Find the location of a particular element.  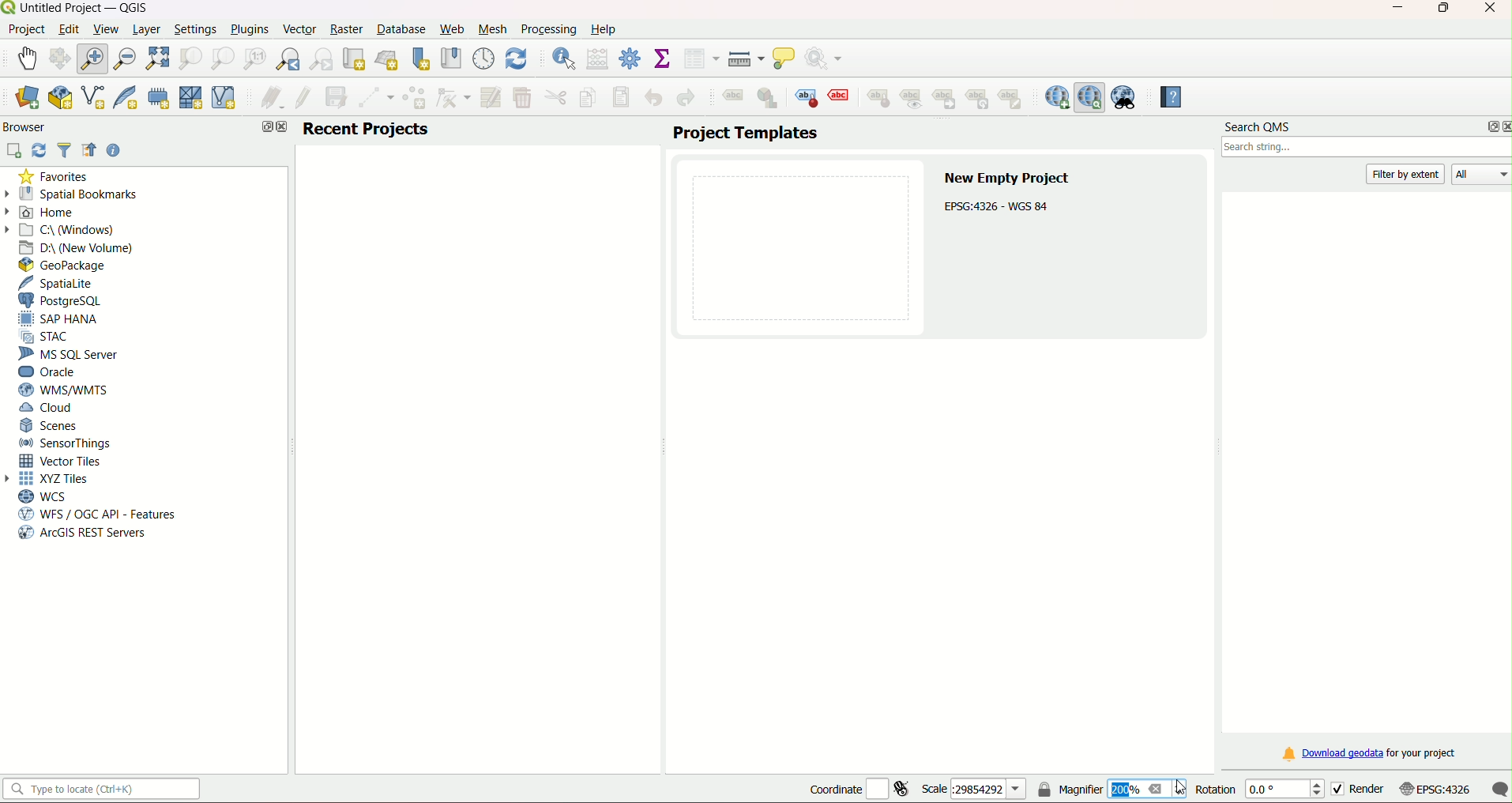

toggle edit is located at coordinates (302, 98).